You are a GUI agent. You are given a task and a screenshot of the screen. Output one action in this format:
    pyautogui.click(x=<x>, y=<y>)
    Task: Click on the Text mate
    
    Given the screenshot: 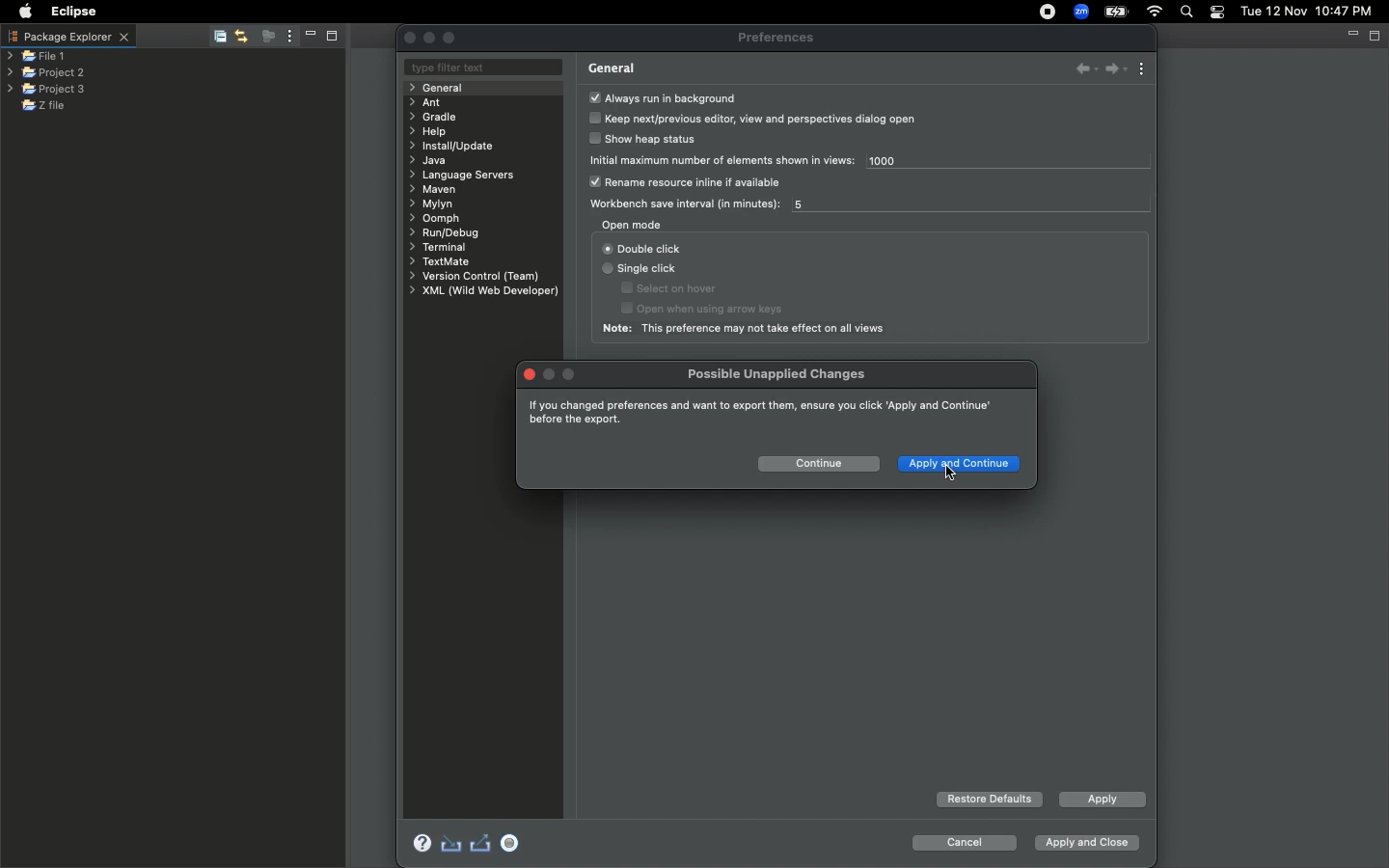 What is the action you would take?
    pyautogui.click(x=442, y=262)
    